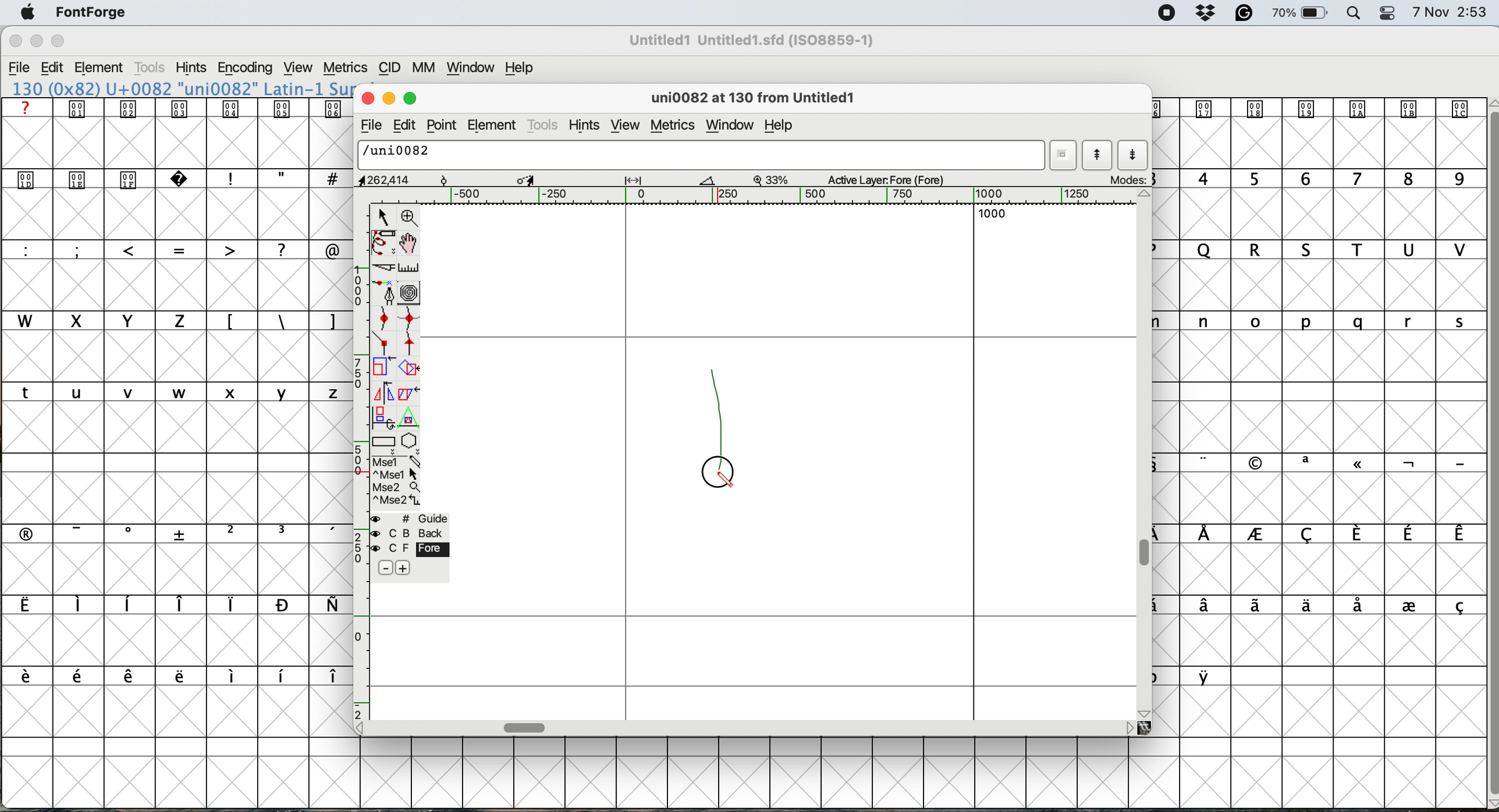 The image size is (1499, 812). What do you see at coordinates (407, 244) in the screenshot?
I see `scroll by hand` at bounding box center [407, 244].